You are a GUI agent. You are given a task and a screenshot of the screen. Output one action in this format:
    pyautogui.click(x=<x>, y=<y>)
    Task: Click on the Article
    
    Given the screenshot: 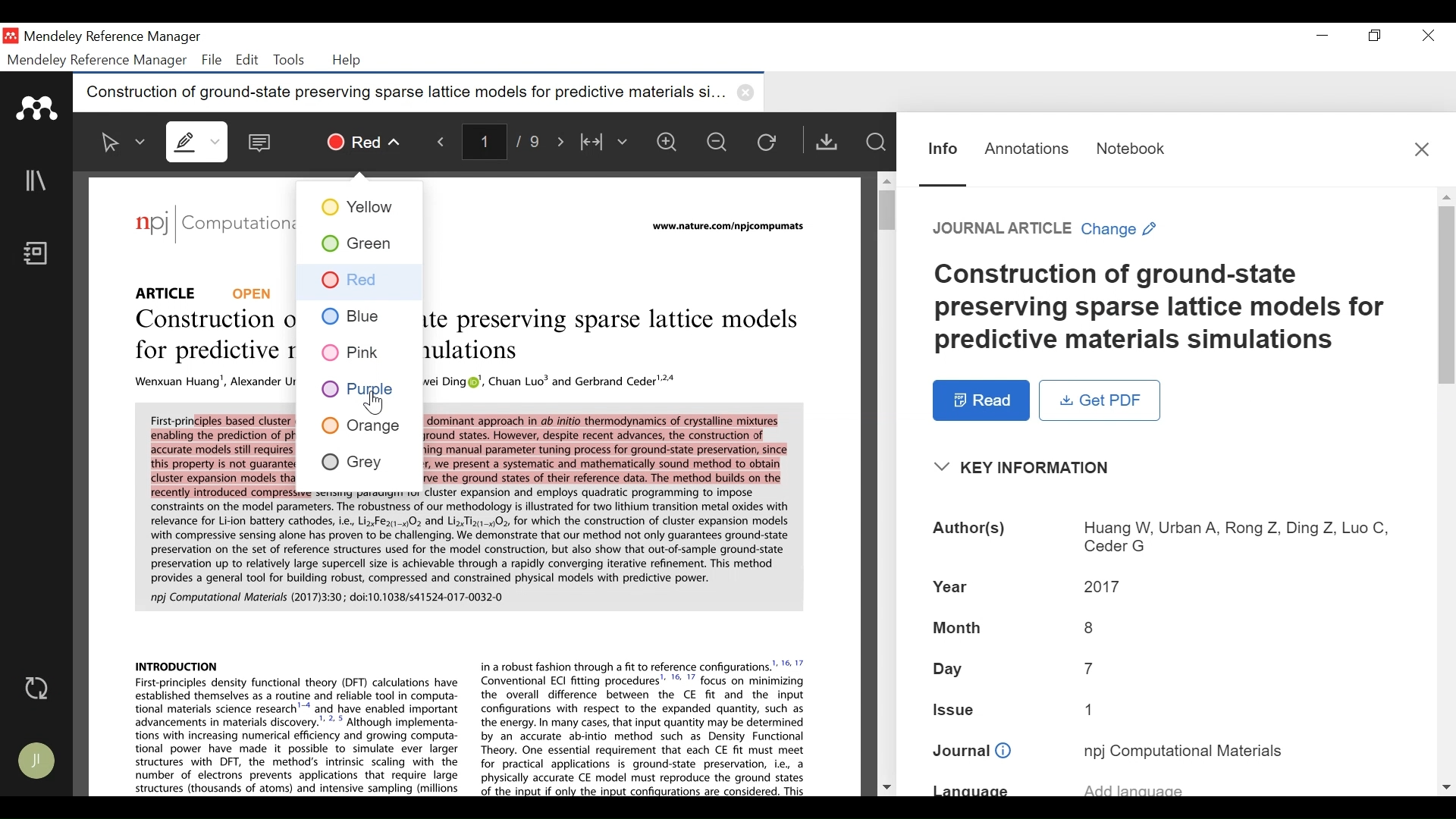 What is the action you would take?
    pyautogui.click(x=161, y=289)
    